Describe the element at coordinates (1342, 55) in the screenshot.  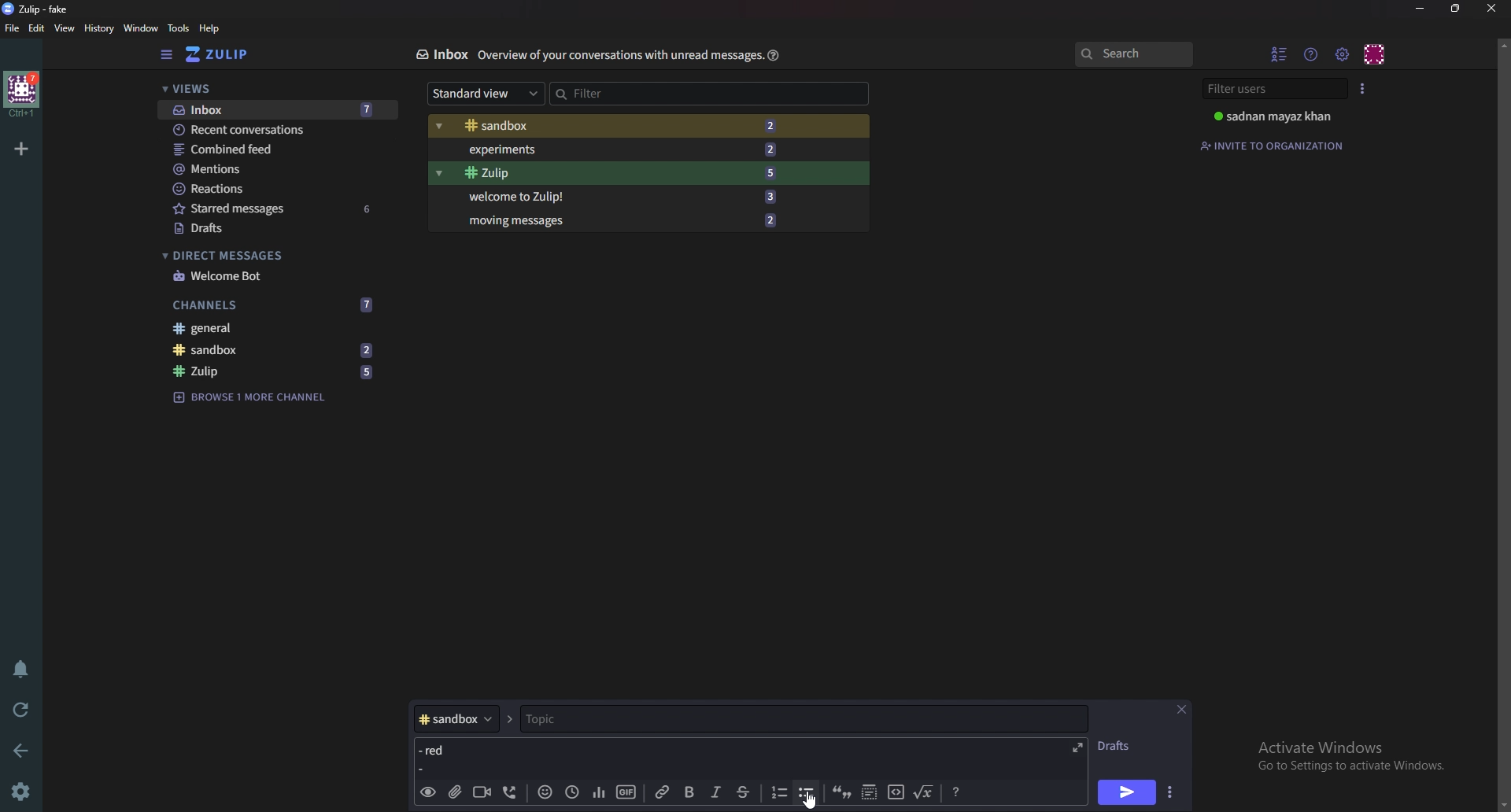
I see `Main menu` at that location.